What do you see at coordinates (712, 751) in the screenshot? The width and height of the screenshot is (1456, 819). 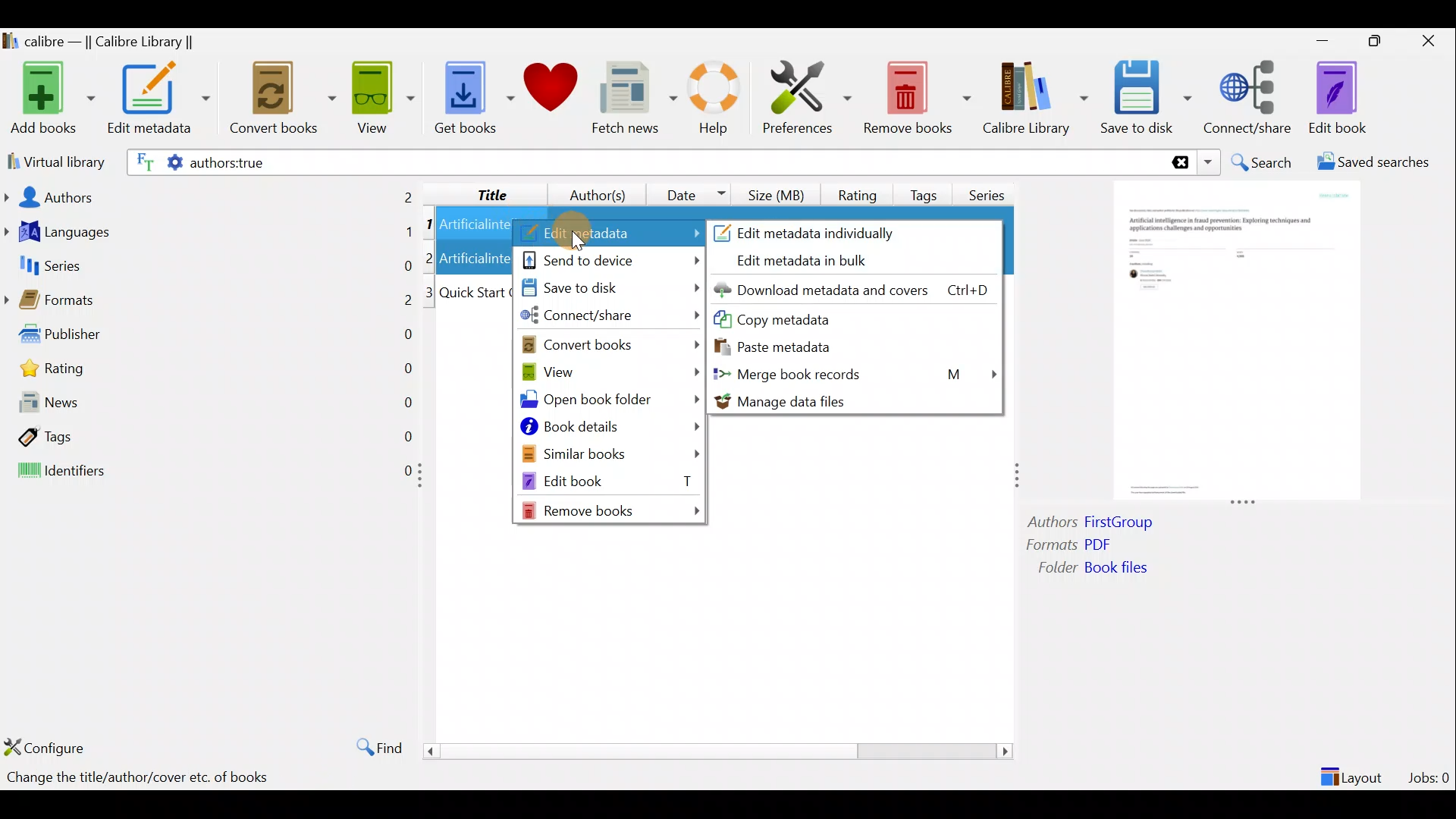 I see `Scroll bar` at bounding box center [712, 751].